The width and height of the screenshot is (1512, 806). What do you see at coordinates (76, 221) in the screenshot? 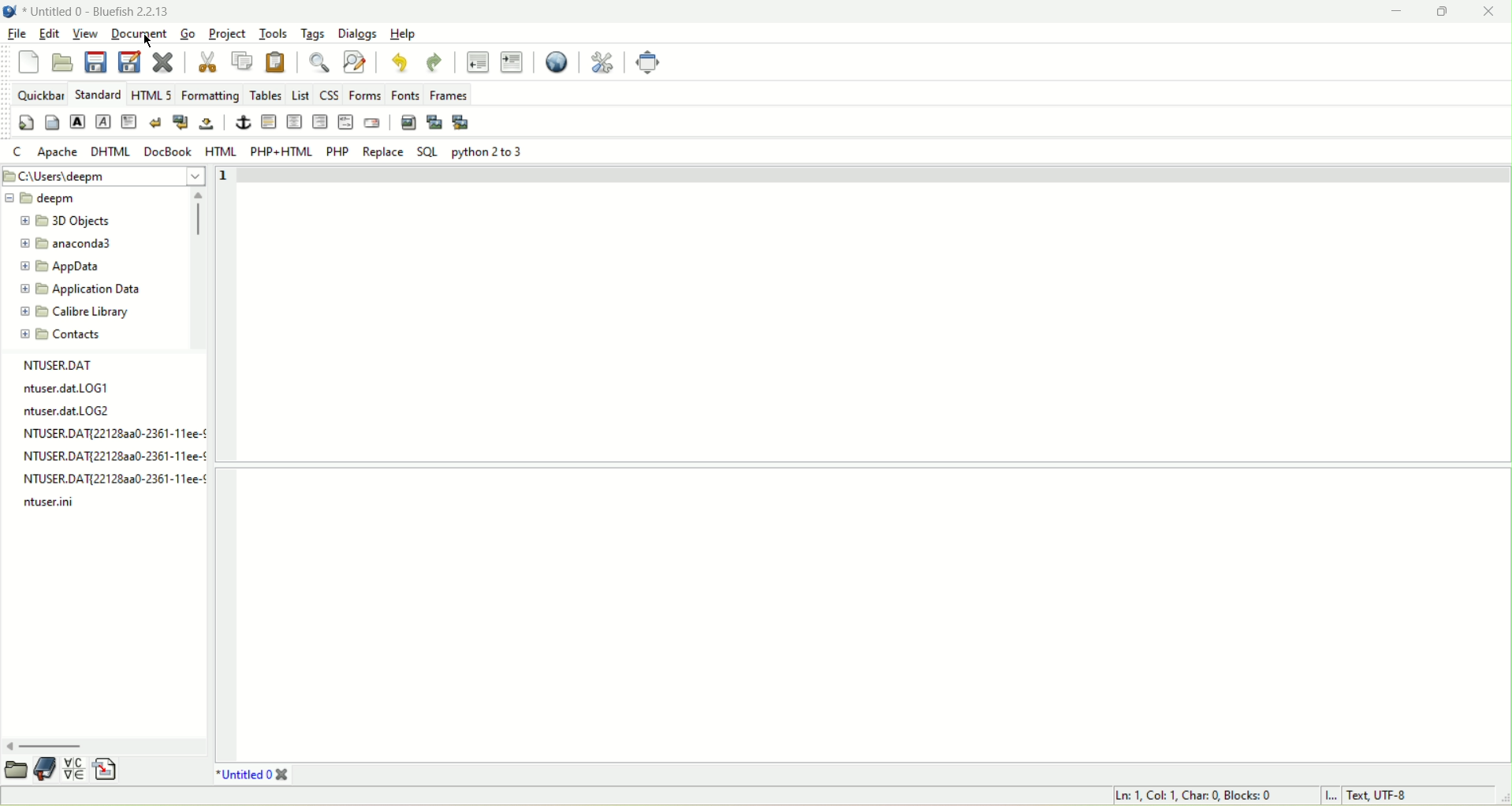
I see `folder name` at bounding box center [76, 221].